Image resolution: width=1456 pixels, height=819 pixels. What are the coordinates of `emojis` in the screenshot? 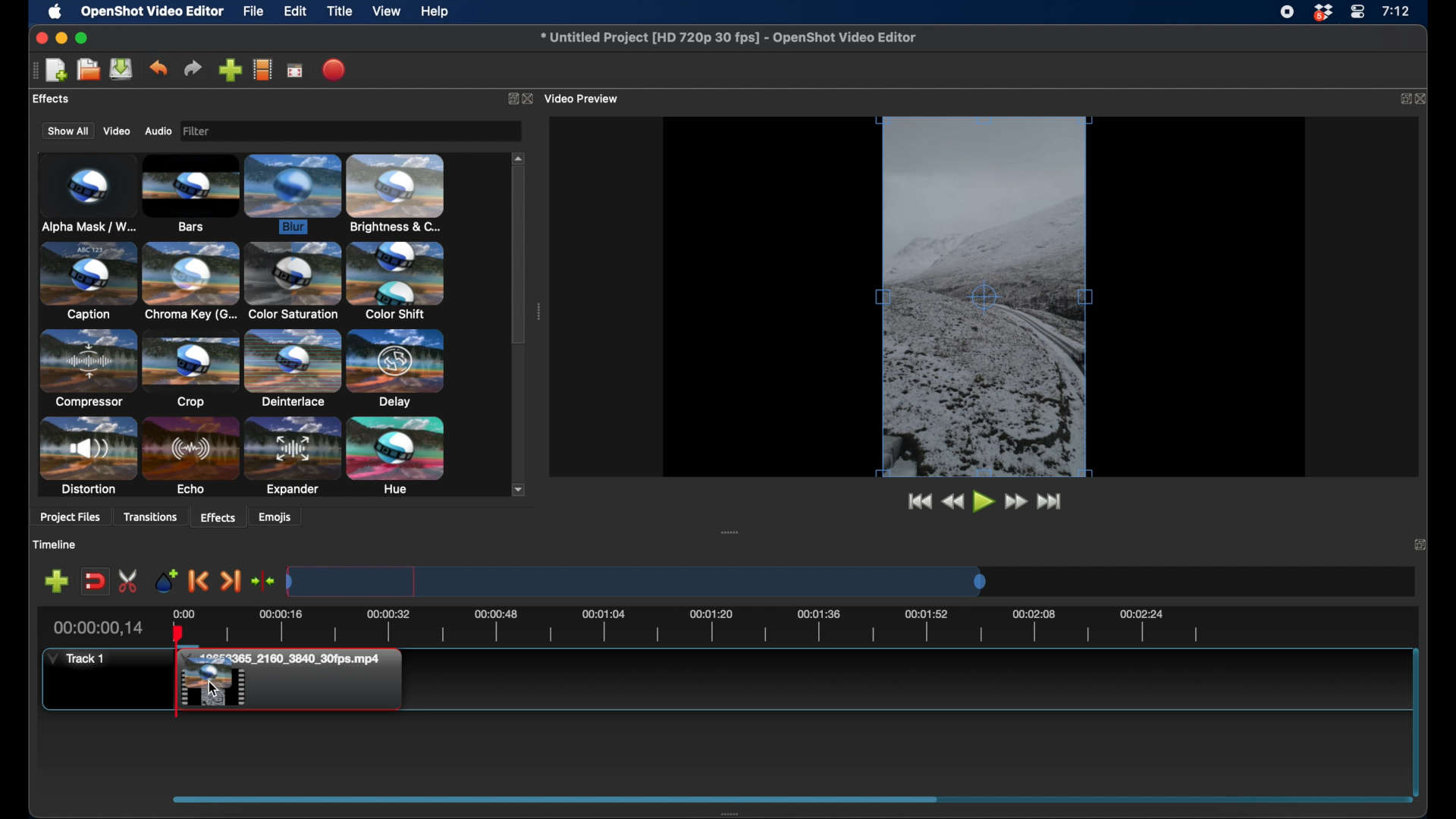 It's located at (276, 516).